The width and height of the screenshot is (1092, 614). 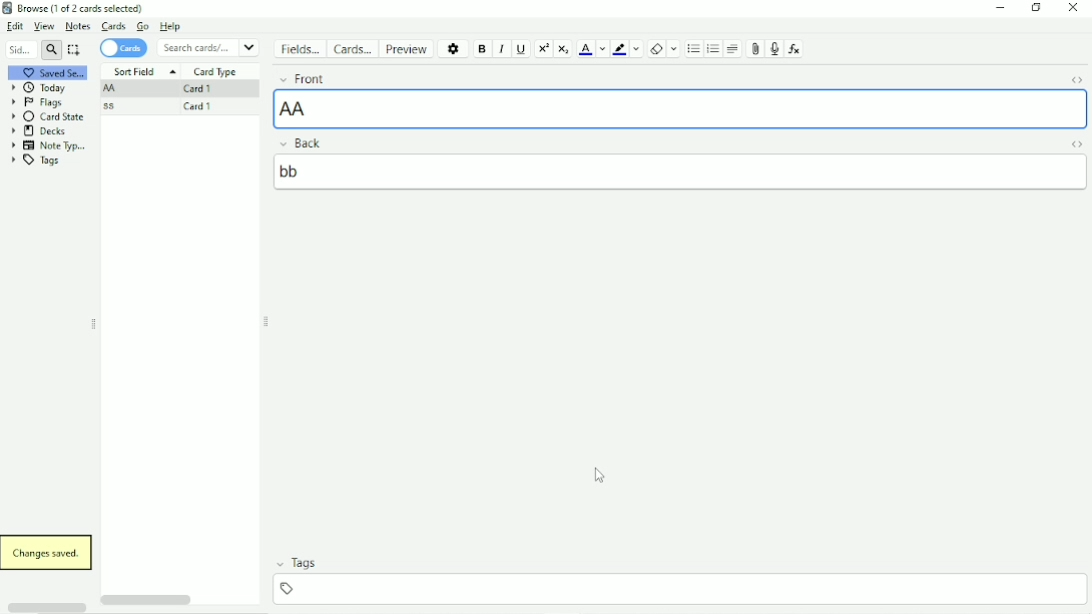 I want to click on Subscript, so click(x=564, y=48).